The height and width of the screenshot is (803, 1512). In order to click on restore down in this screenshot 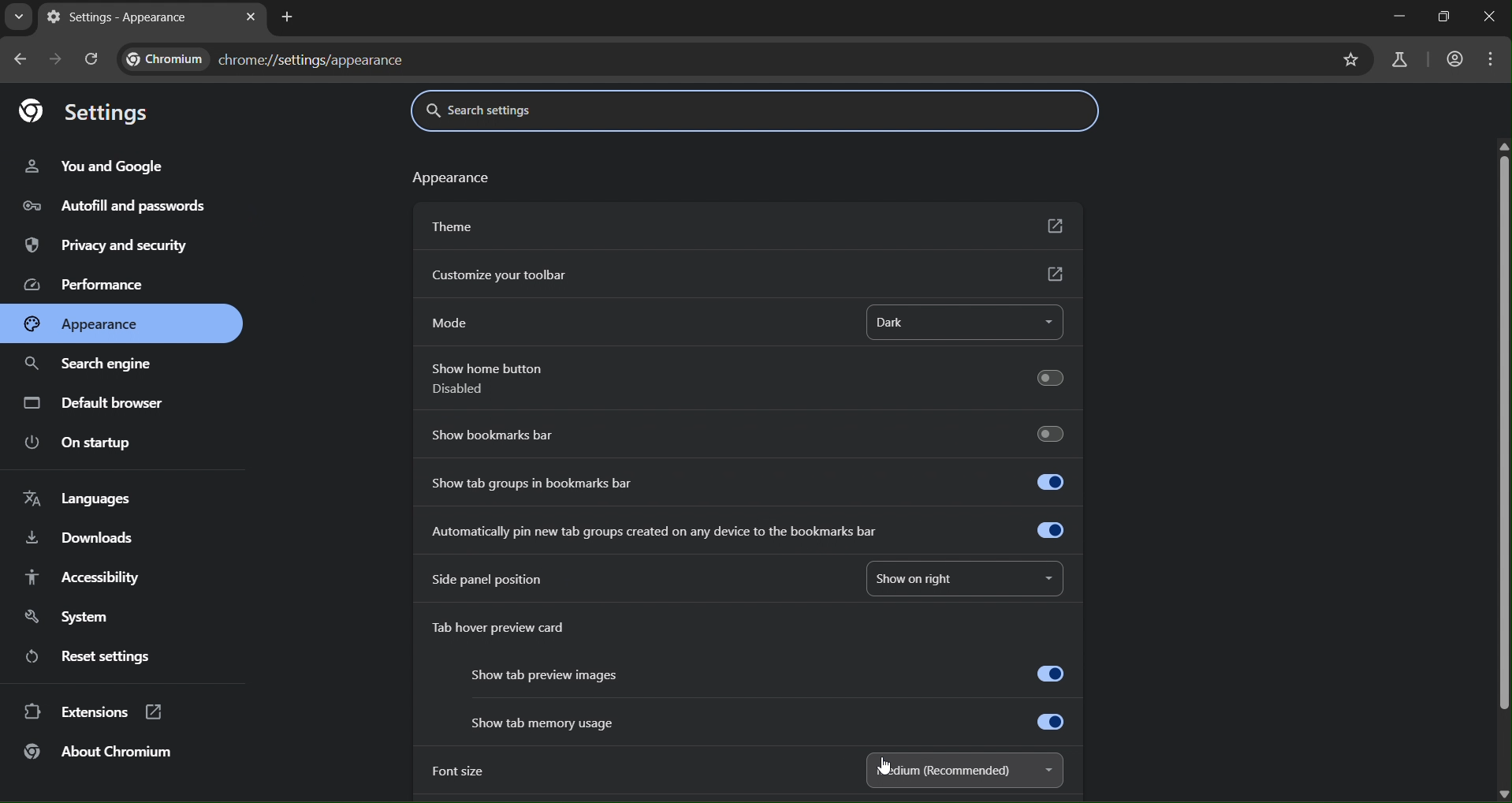, I will do `click(1442, 18)`.